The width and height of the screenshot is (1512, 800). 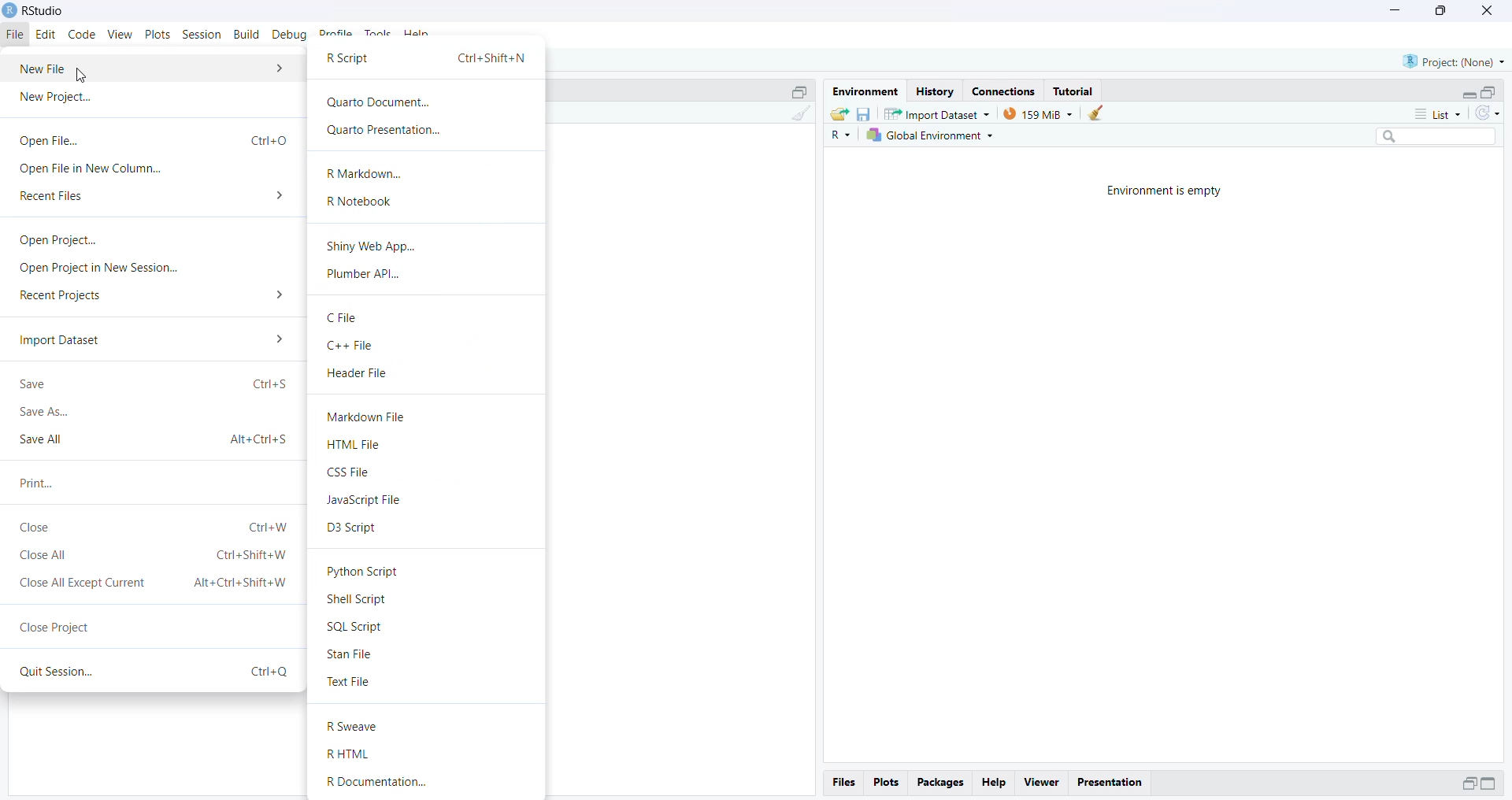 I want to click on Shell Script, so click(x=360, y=600).